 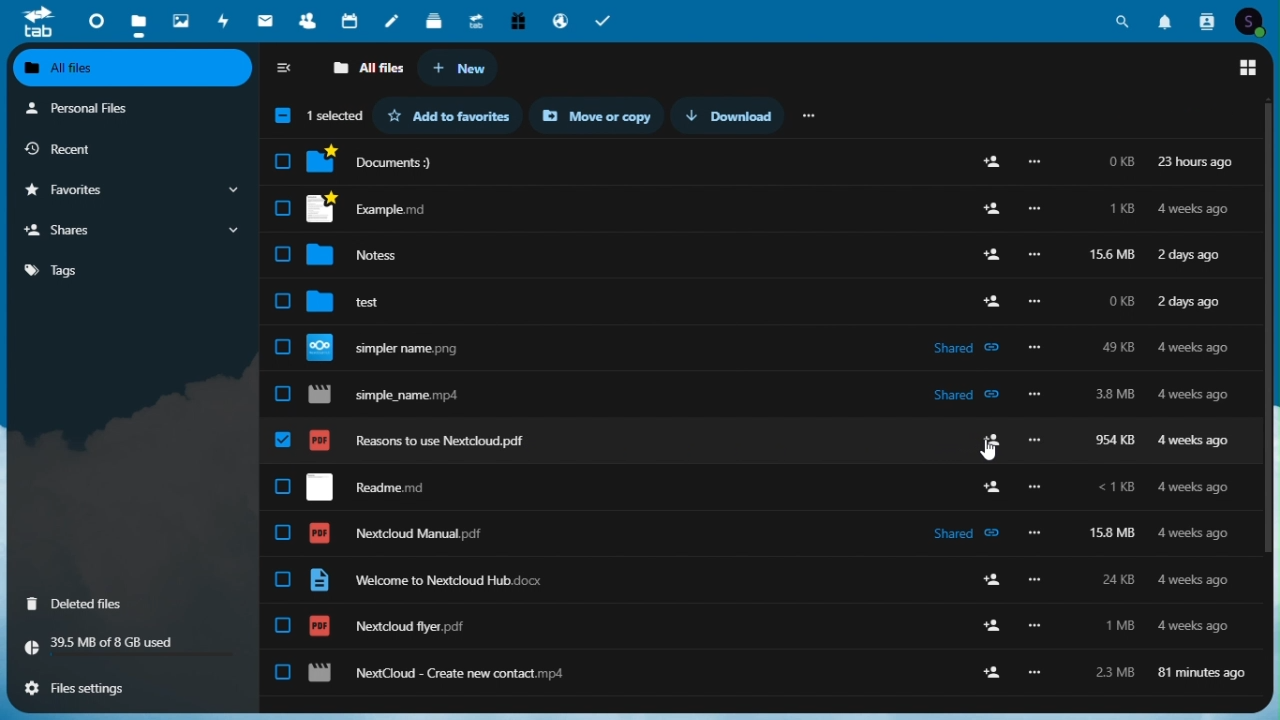 What do you see at coordinates (181, 19) in the screenshot?
I see `Photos` at bounding box center [181, 19].